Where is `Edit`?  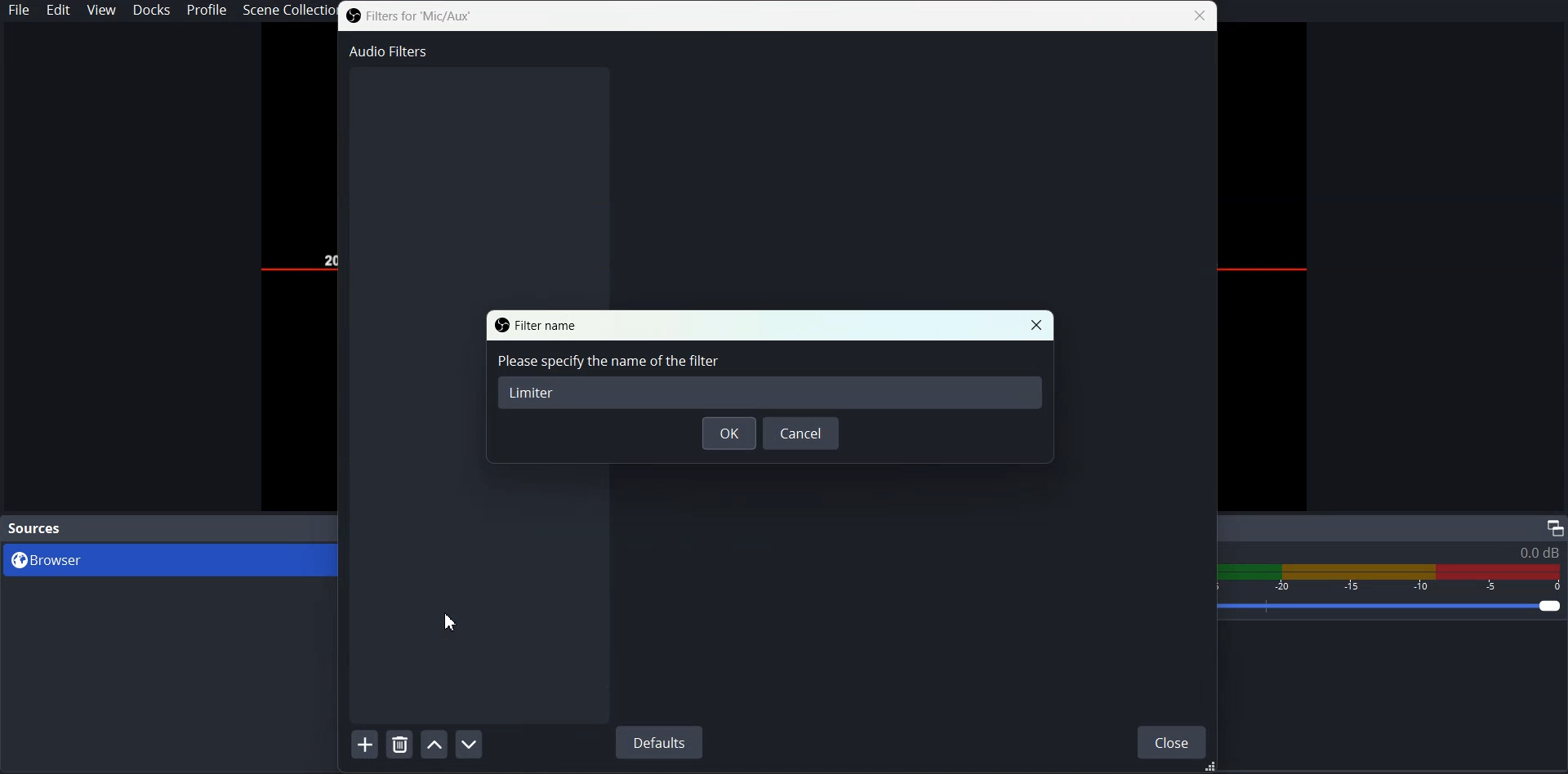
Edit is located at coordinates (60, 11).